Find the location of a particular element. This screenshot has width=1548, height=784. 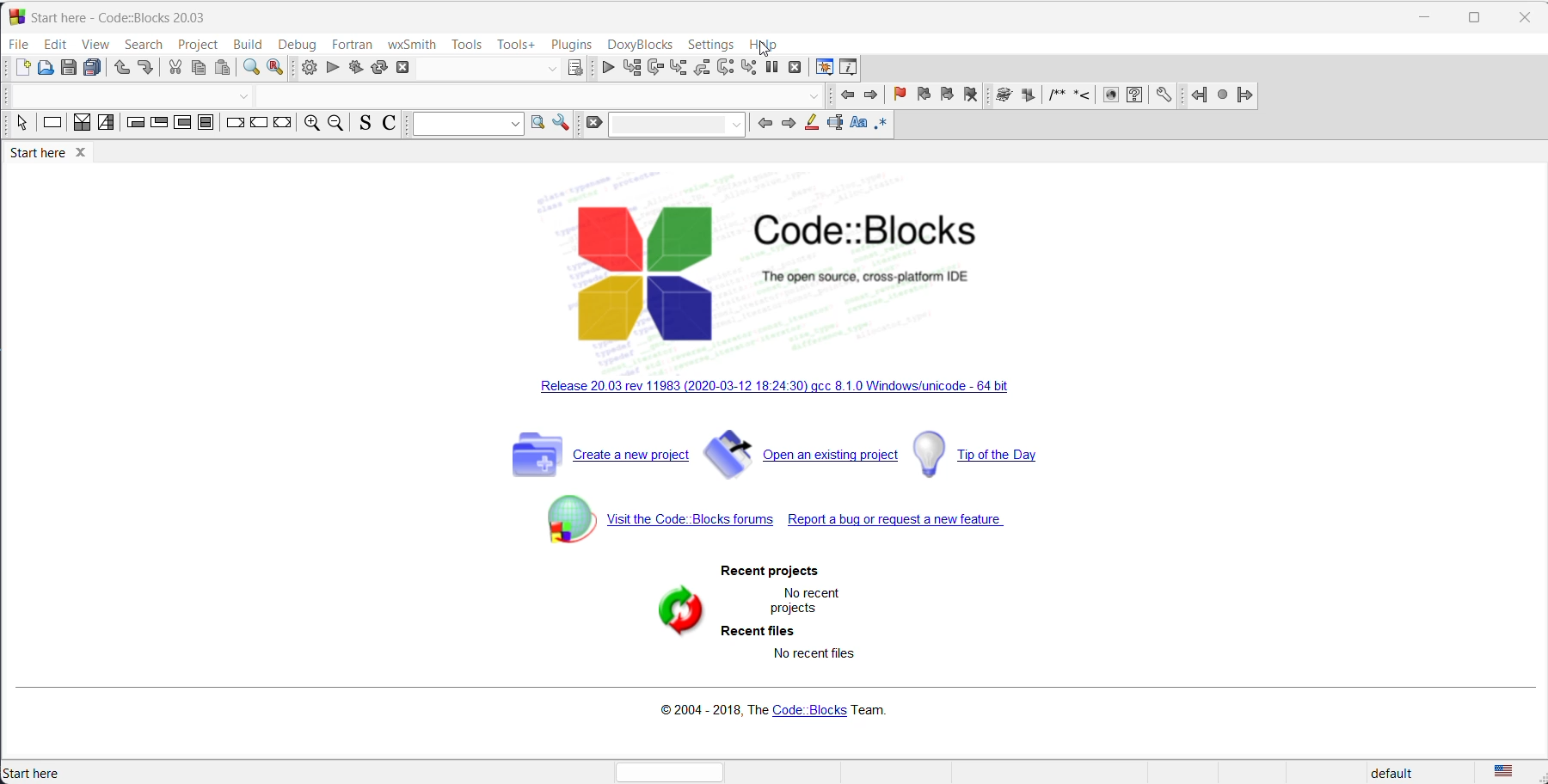

file is located at coordinates (17, 43).